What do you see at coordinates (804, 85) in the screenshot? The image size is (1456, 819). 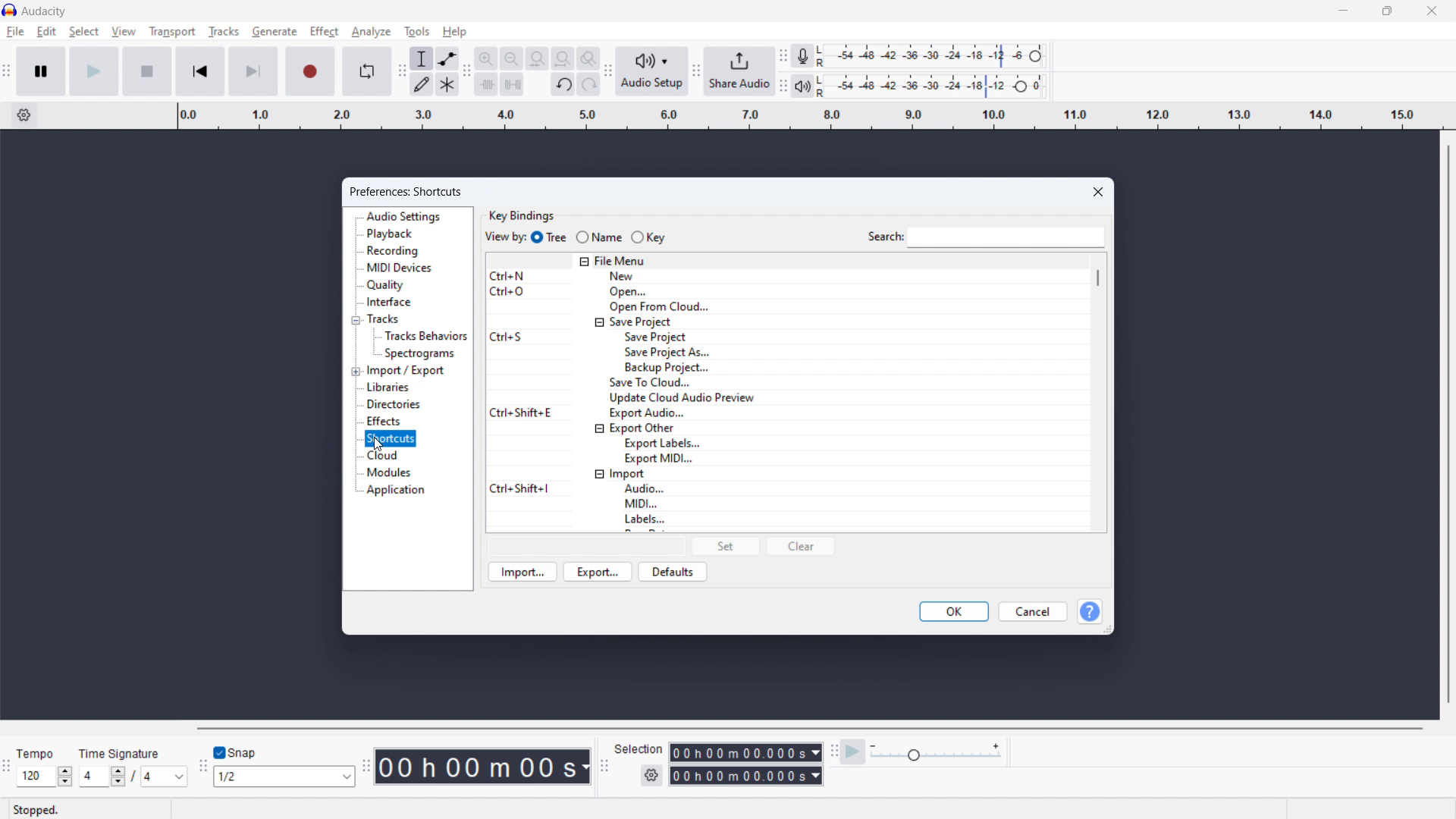 I see `playback meter` at bounding box center [804, 85].